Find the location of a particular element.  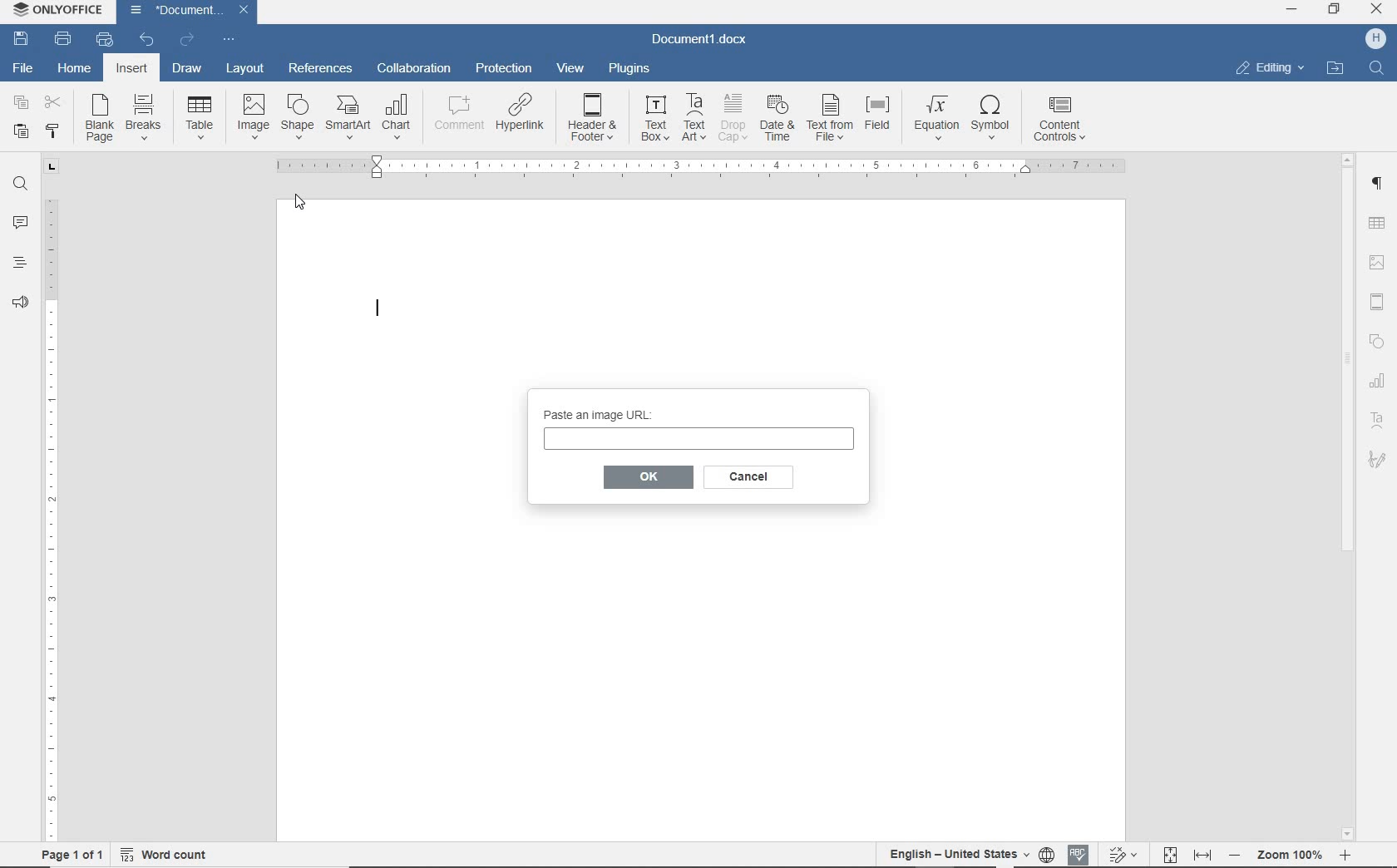

redo is located at coordinates (186, 40).